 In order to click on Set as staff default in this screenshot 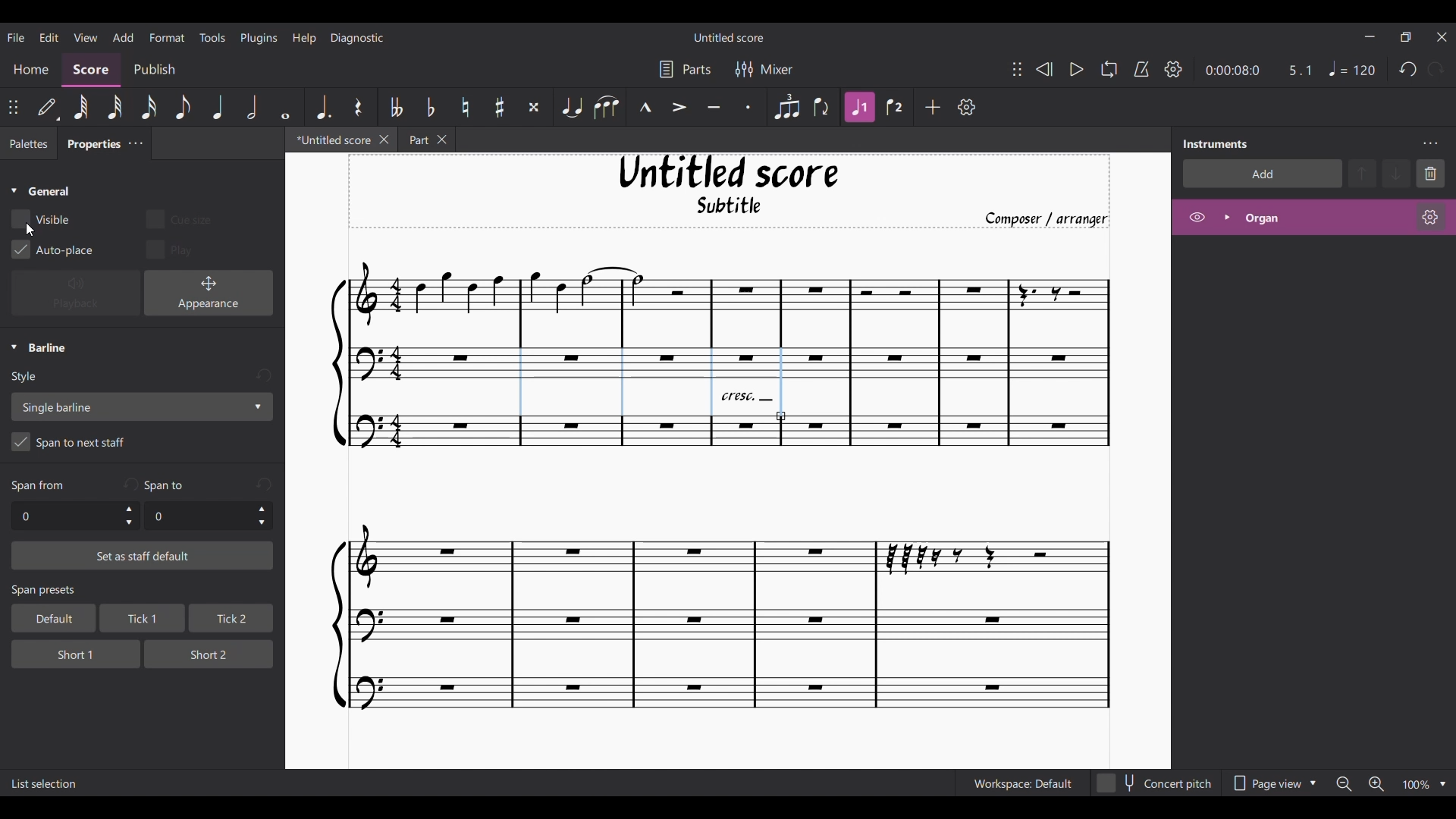, I will do `click(143, 556)`.